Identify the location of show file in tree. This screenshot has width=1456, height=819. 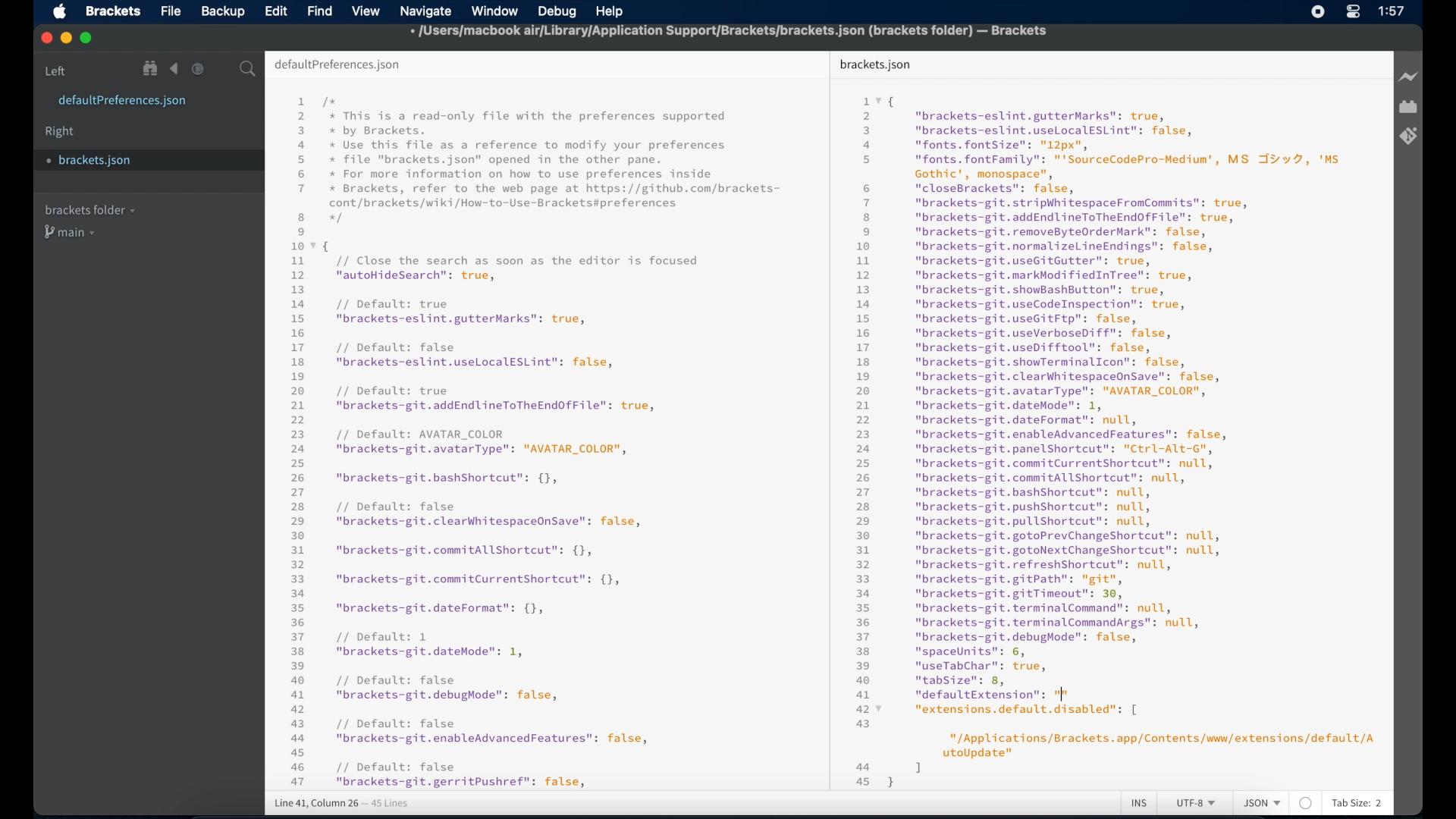
(151, 69).